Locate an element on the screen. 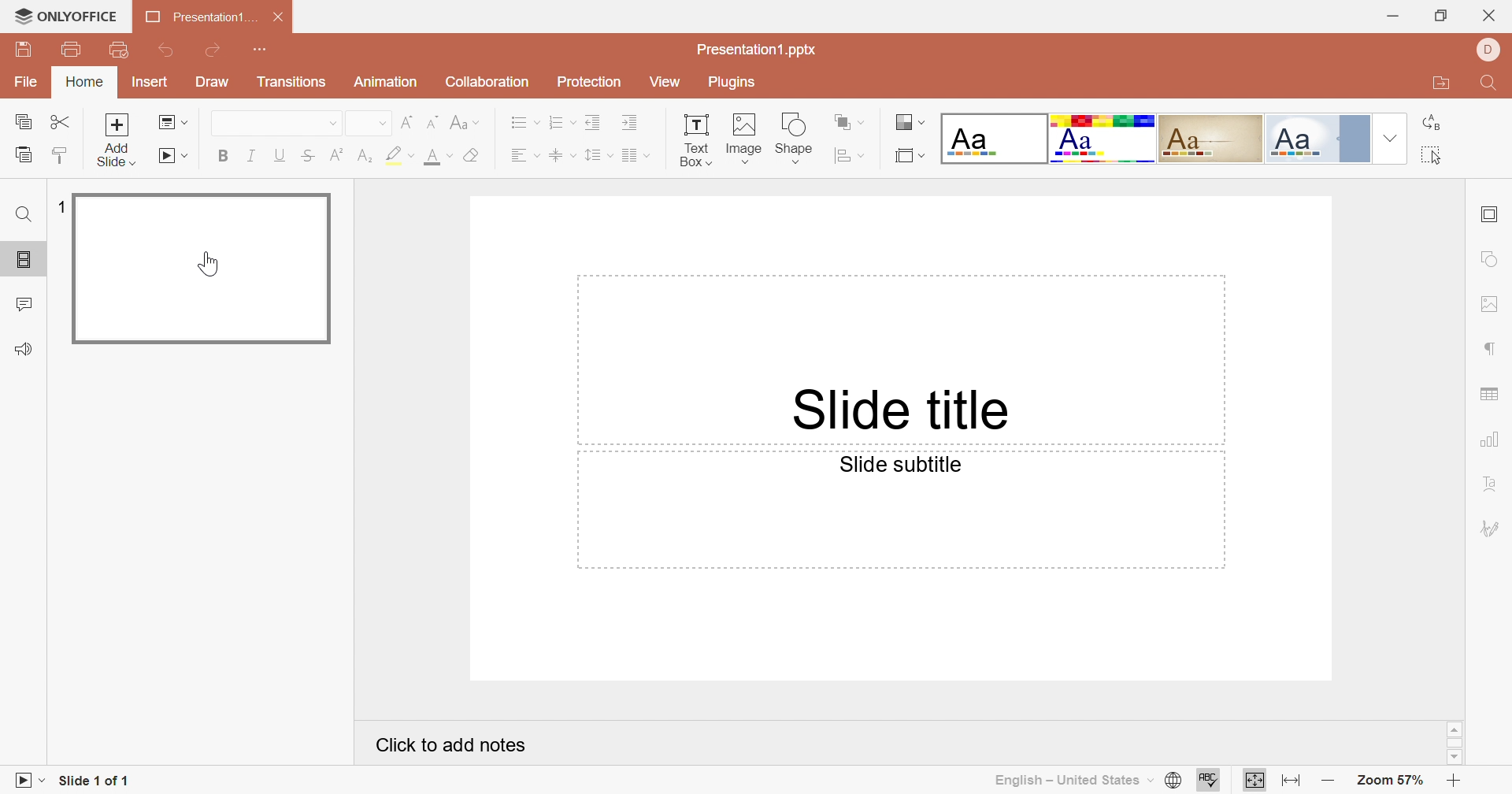  text box is located at coordinates (696, 137).